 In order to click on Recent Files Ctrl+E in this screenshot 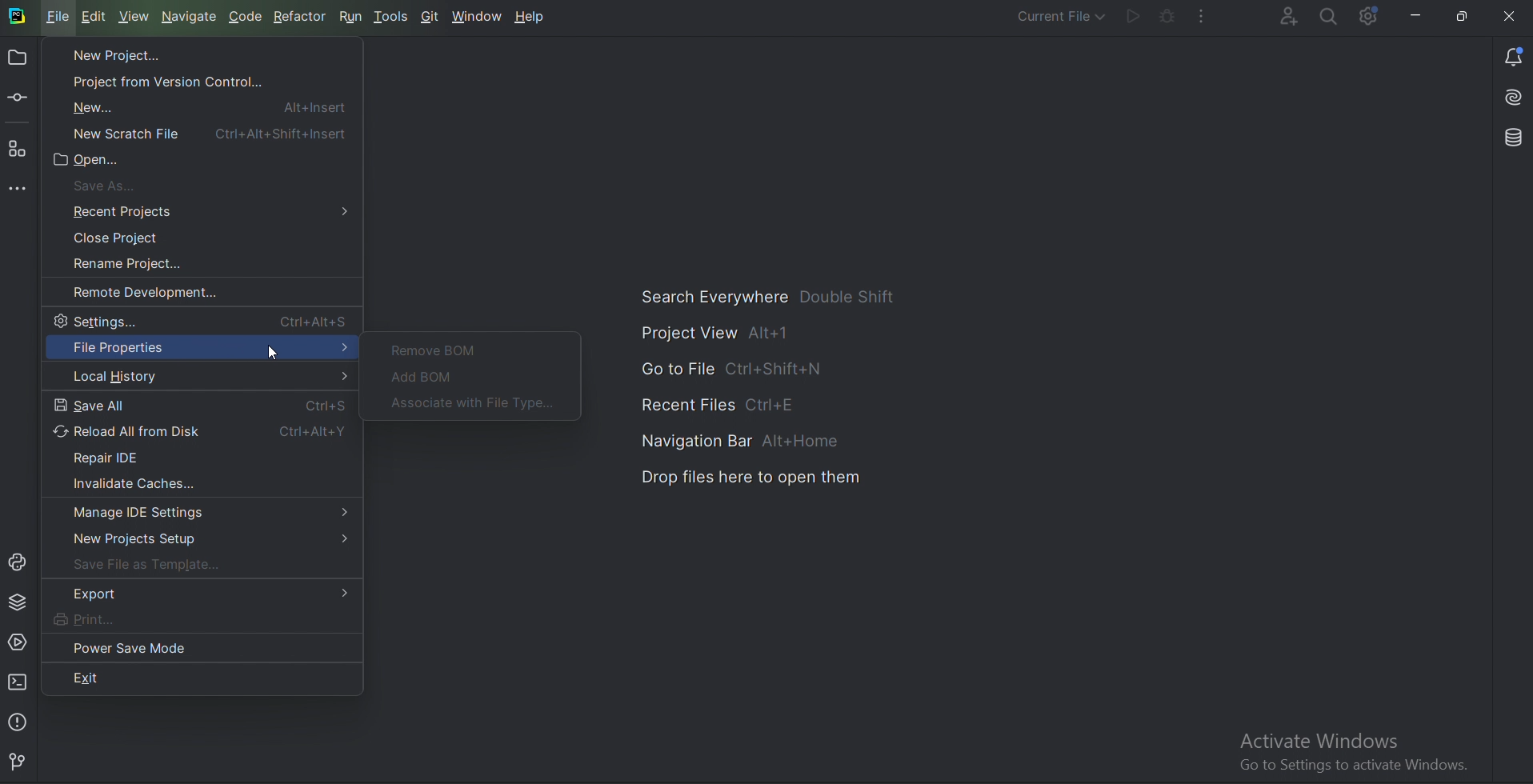, I will do `click(725, 404)`.